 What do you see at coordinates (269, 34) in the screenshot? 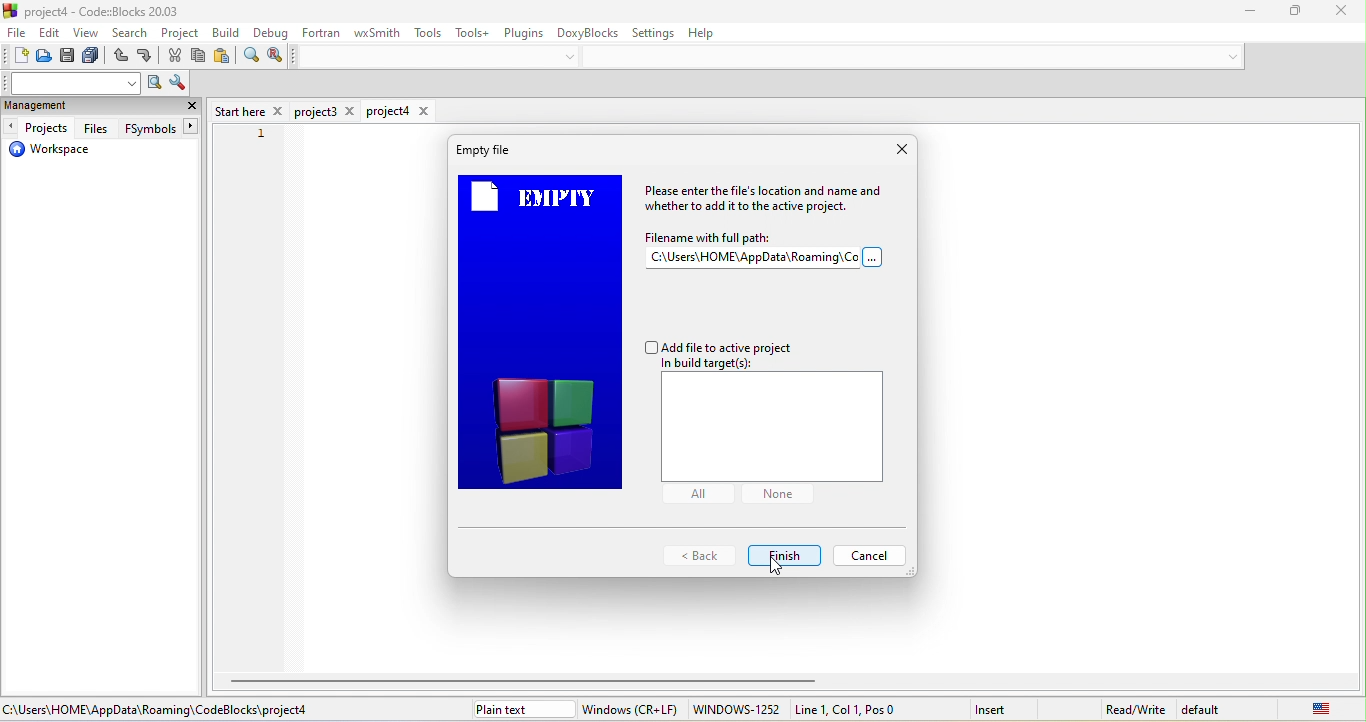
I see `debug` at bounding box center [269, 34].